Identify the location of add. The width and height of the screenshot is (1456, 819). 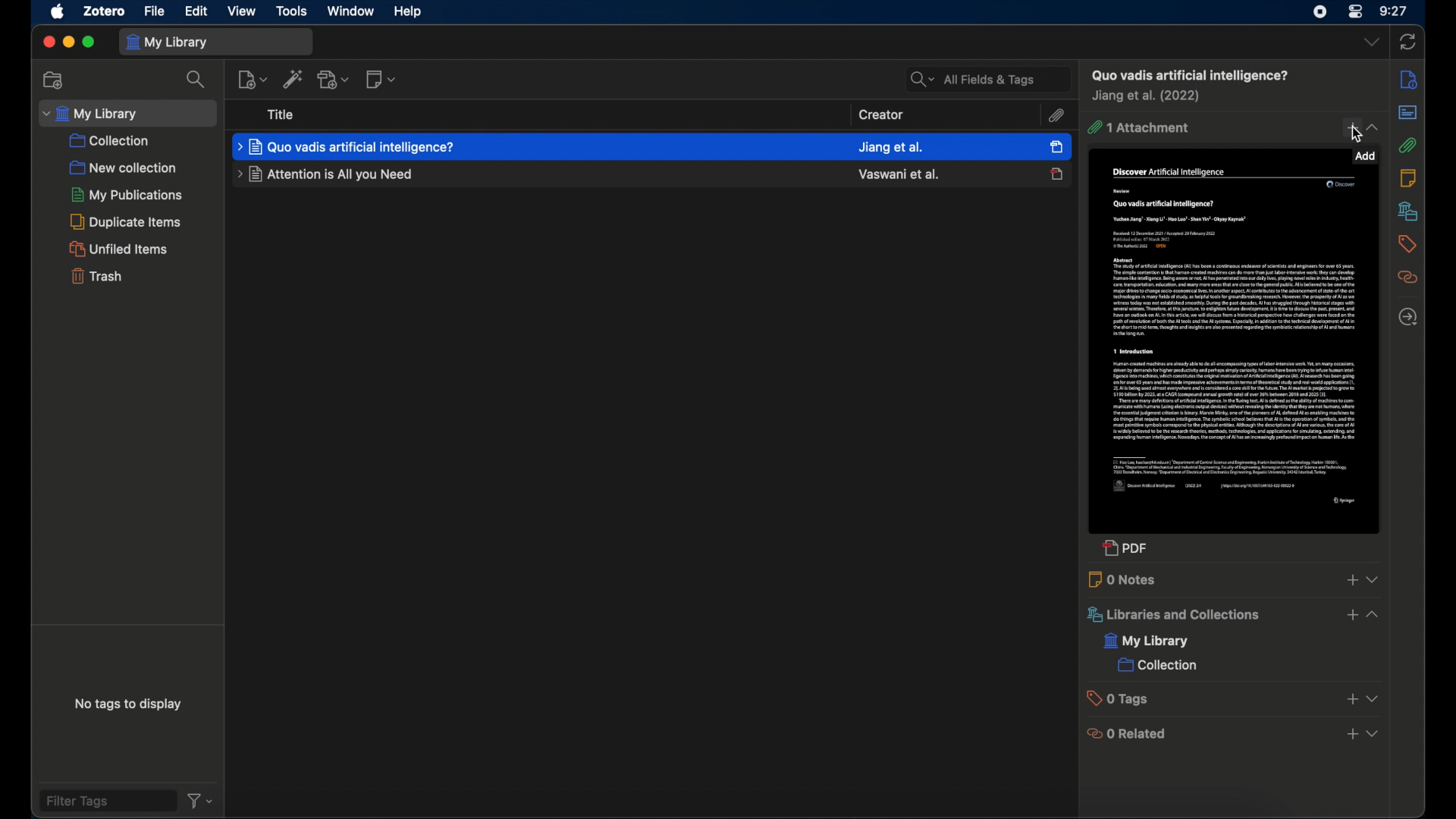
(1351, 580).